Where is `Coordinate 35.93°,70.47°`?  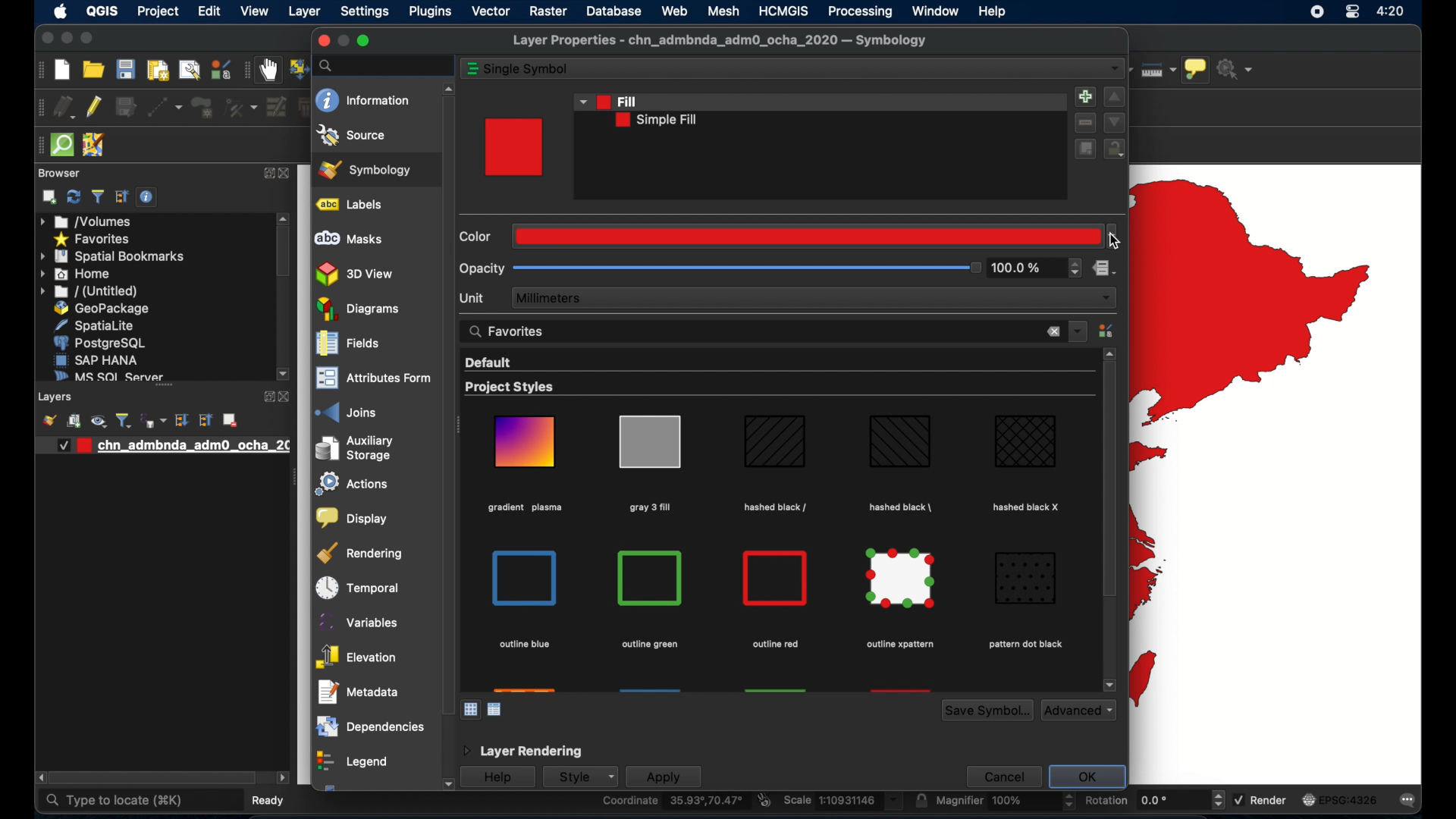 Coordinate 35.93°,70.47° is located at coordinates (673, 802).